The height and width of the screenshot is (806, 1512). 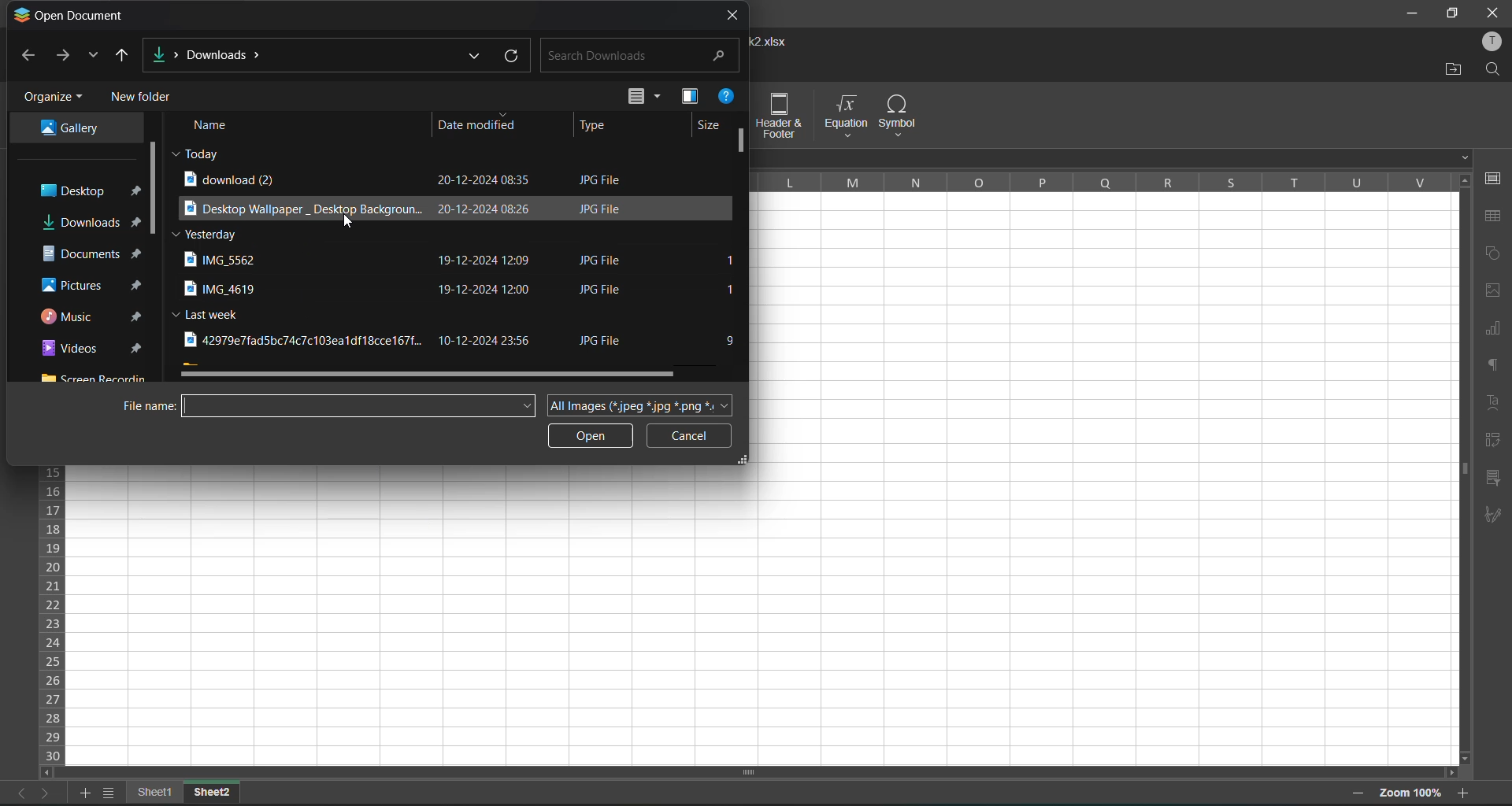 I want to click on size, so click(x=710, y=126).